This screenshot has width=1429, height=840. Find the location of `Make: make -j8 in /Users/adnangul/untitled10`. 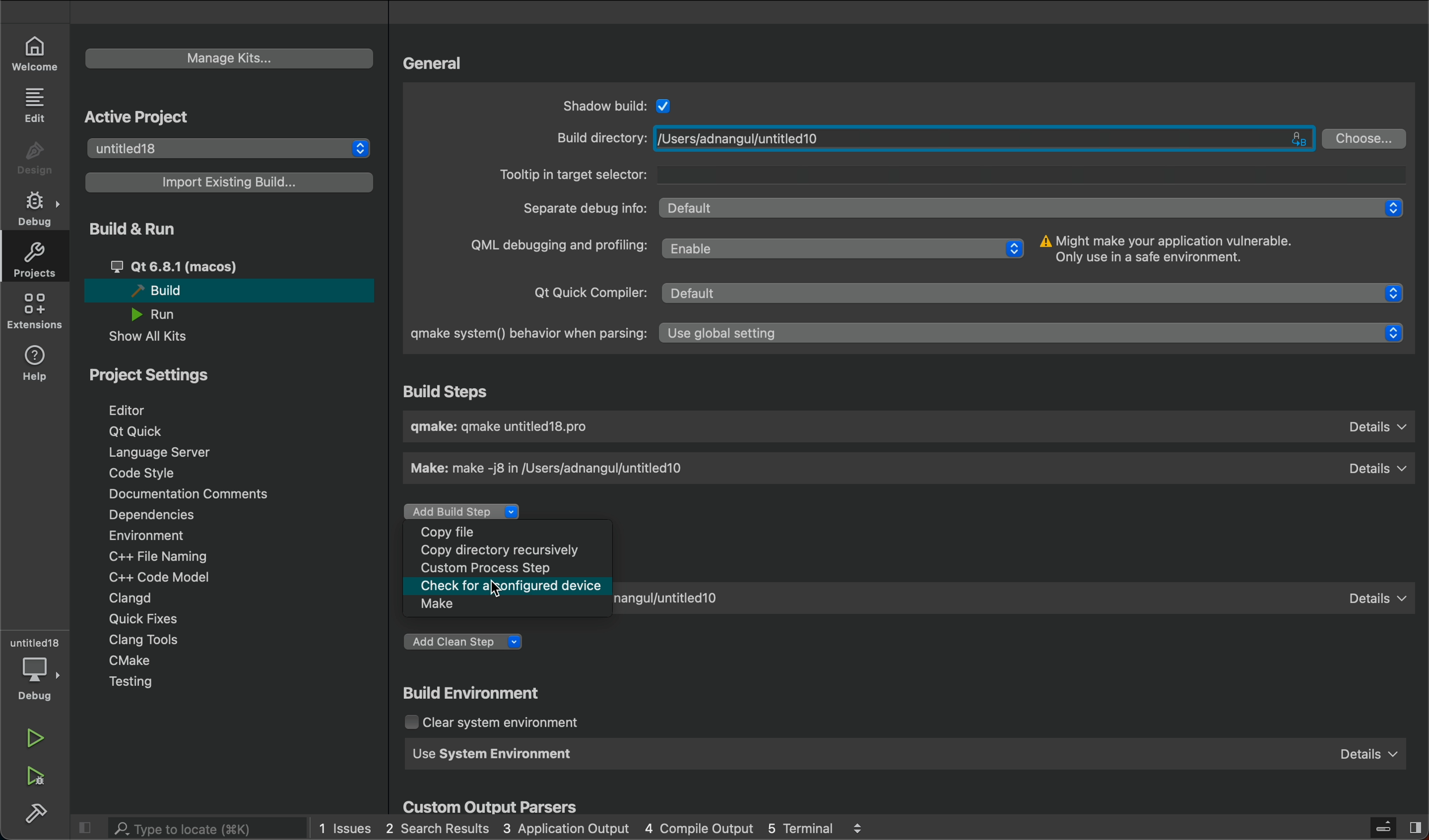

Make: make -j8 in /Users/adnangul/untitled10 is located at coordinates (553, 468).